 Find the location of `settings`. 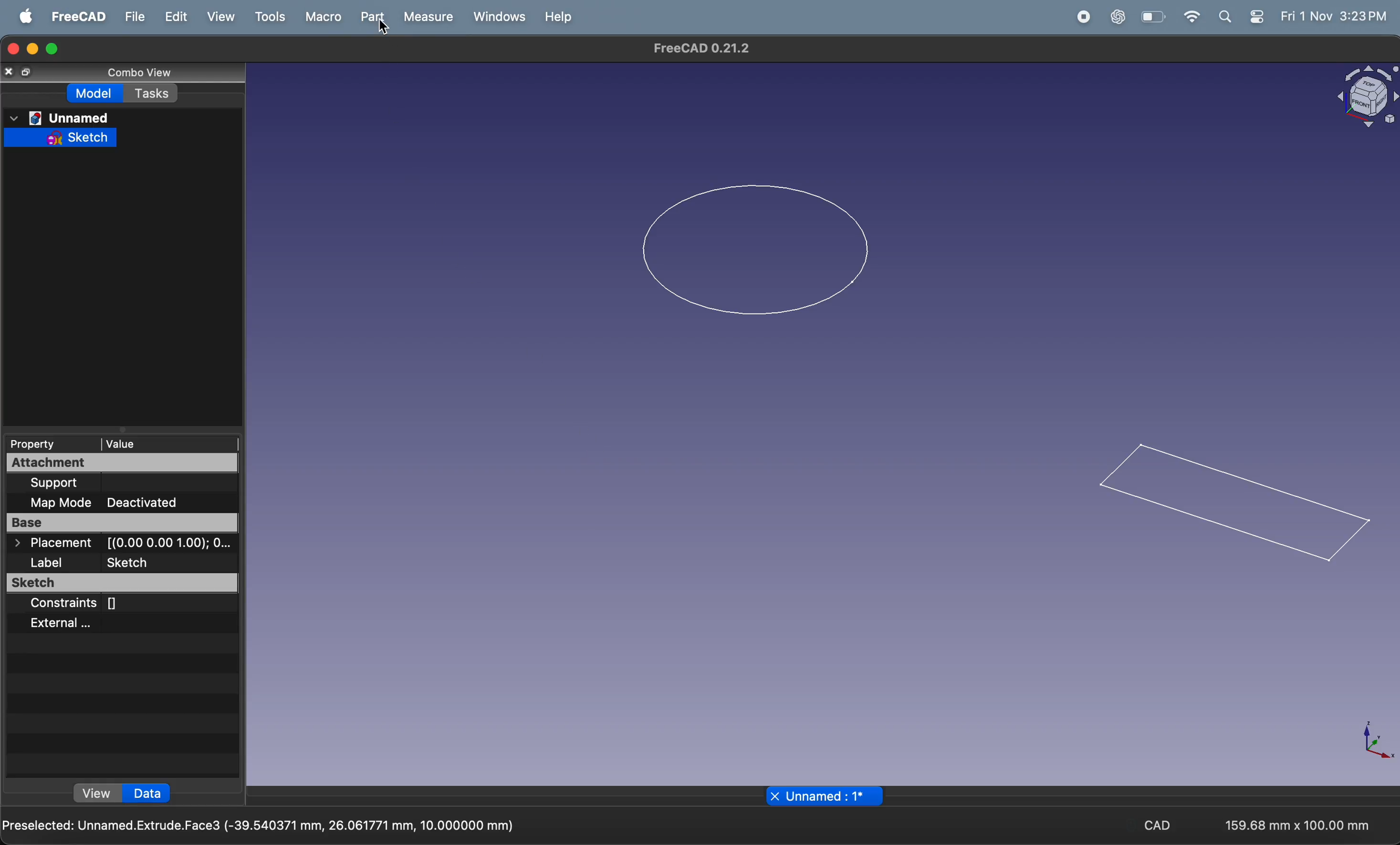

settings is located at coordinates (1258, 17).